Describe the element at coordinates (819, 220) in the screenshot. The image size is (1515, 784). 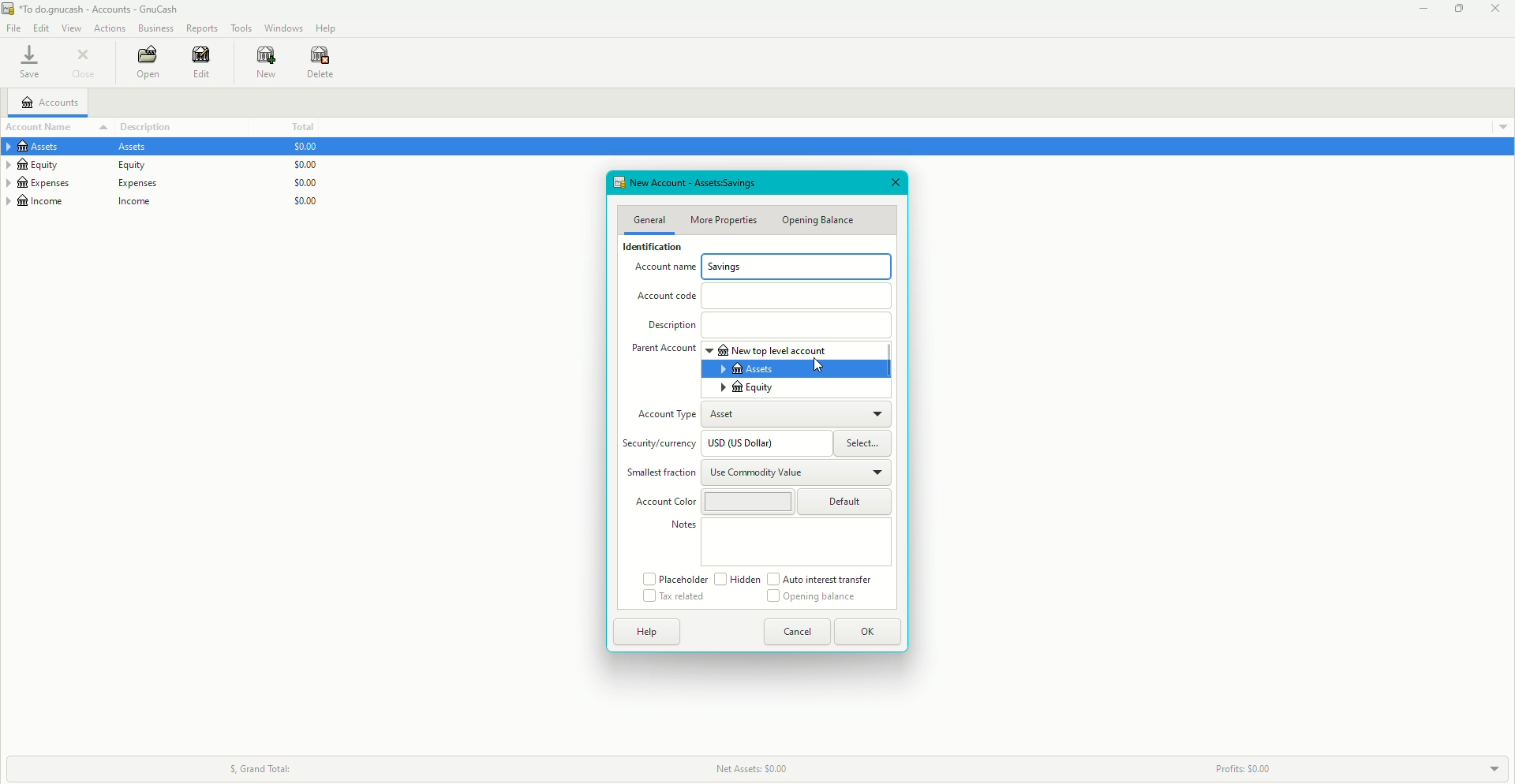
I see `Opening Balance` at that location.